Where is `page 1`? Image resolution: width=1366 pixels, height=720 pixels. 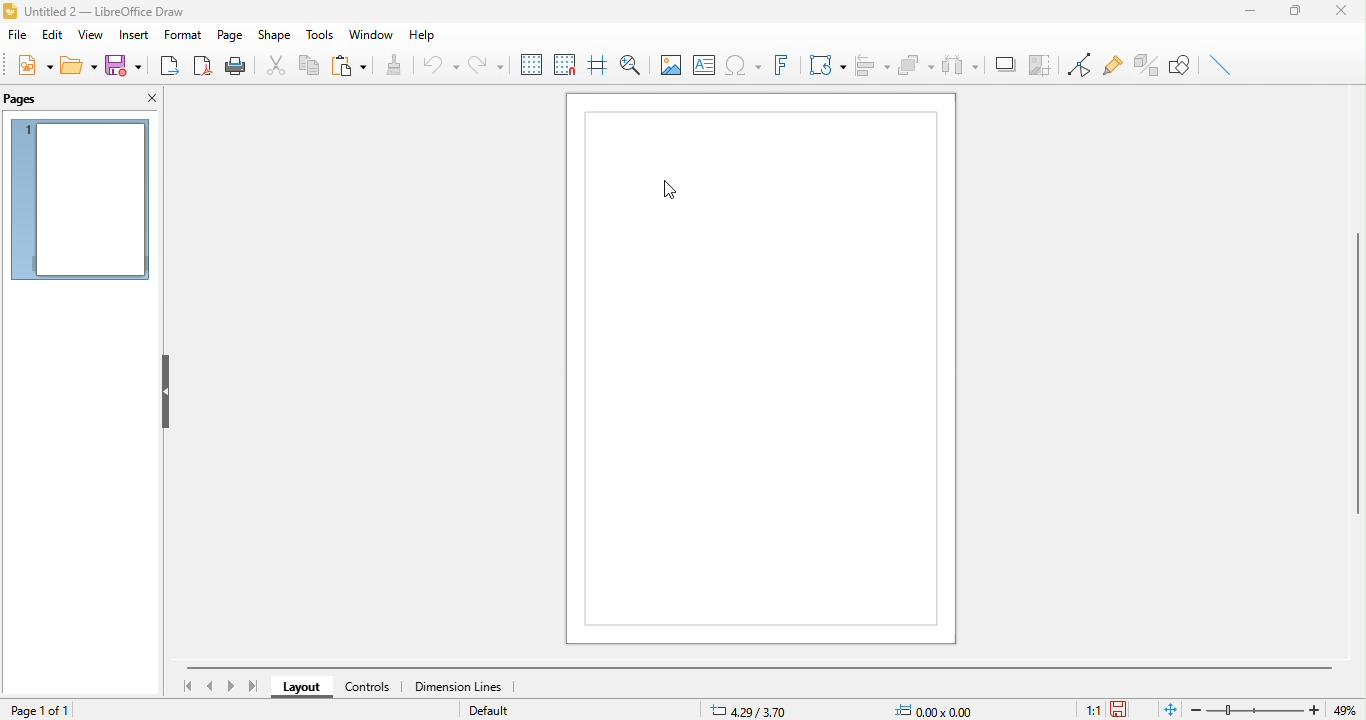 page 1 is located at coordinates (82, 199).